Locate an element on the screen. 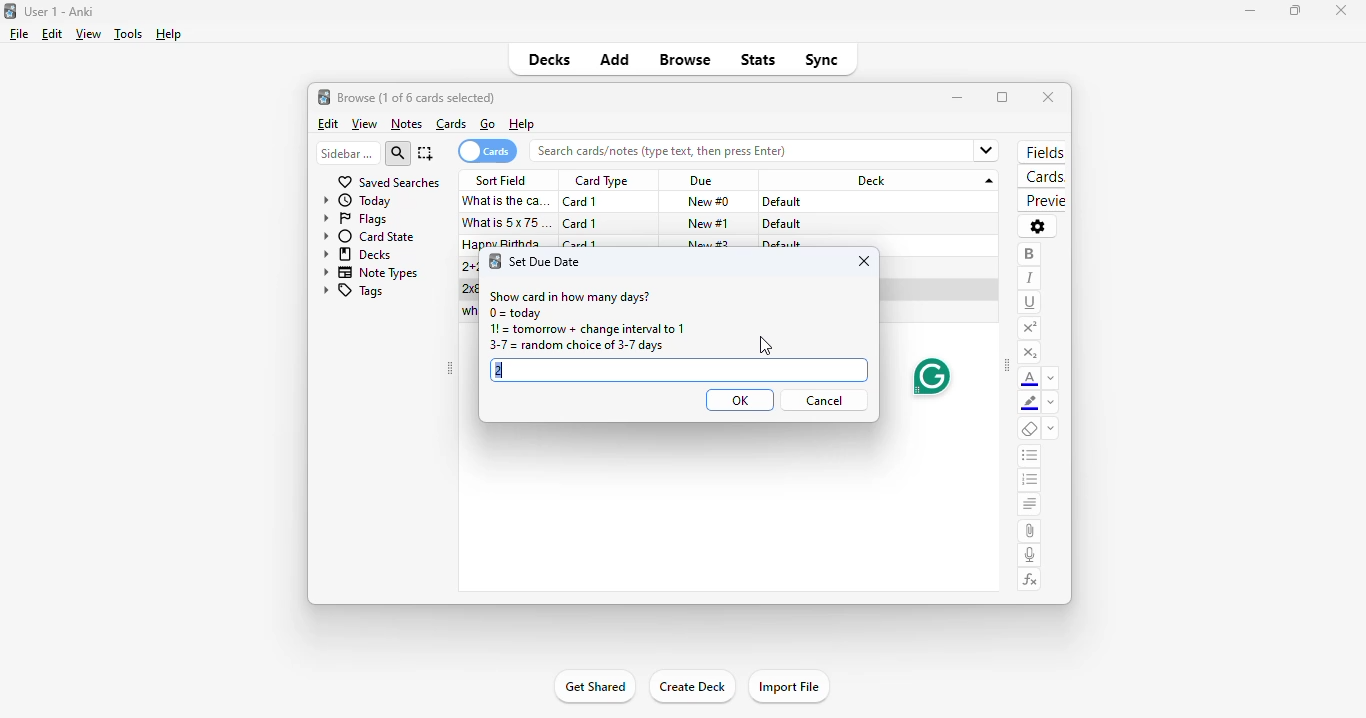 Image resolution: width=1366 pixels, height=718 pixels. maximize is located at coordinates (1002, 97).